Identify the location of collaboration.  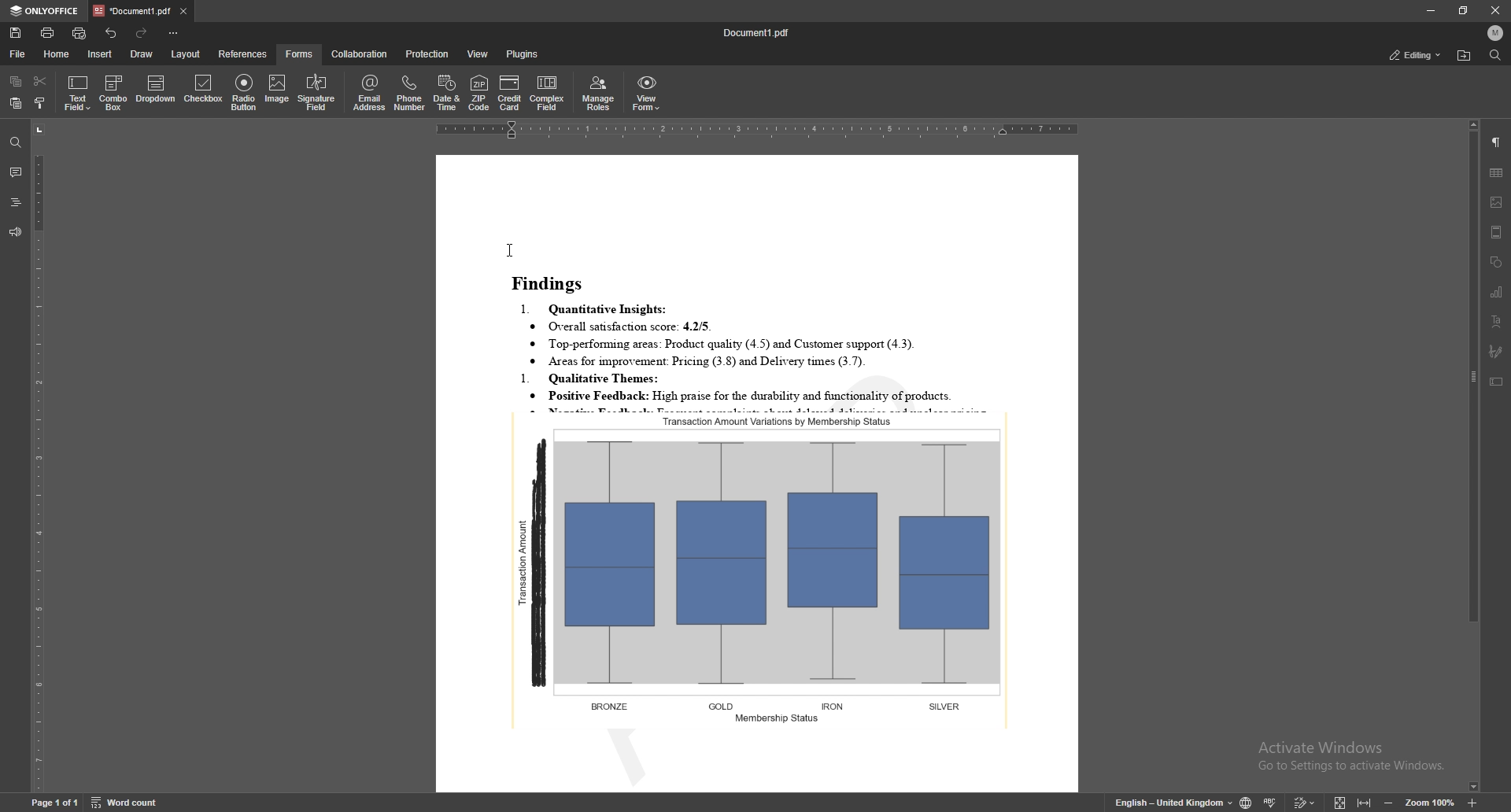
(361, 53).